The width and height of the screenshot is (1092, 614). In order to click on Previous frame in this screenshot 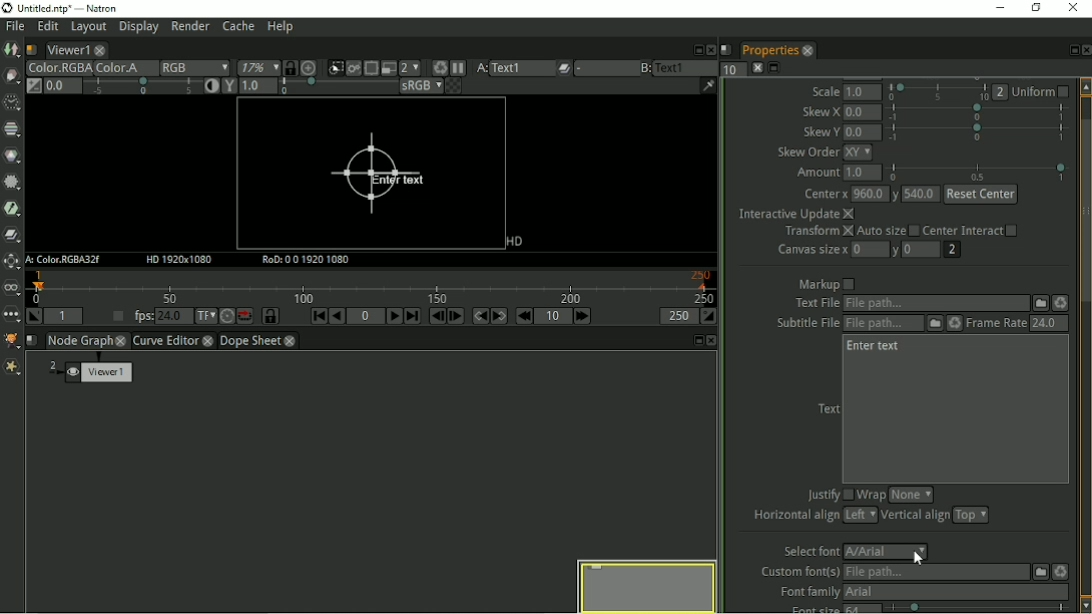, I will do `click(435, 316)`.